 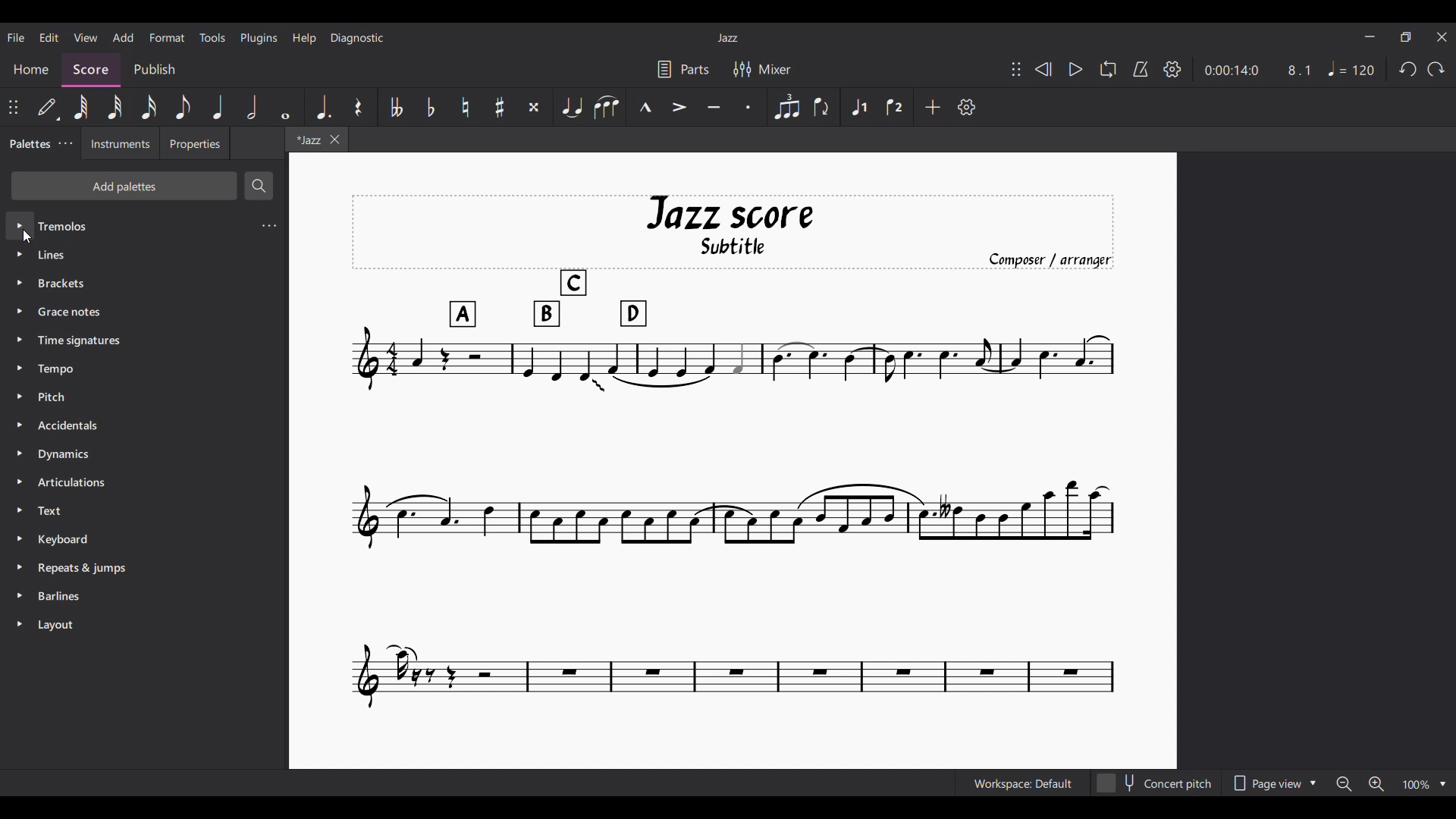 What do you see at coordinates (259, 39) in the screenshot?
I see `Plugins` at bounding box center [259, 39].